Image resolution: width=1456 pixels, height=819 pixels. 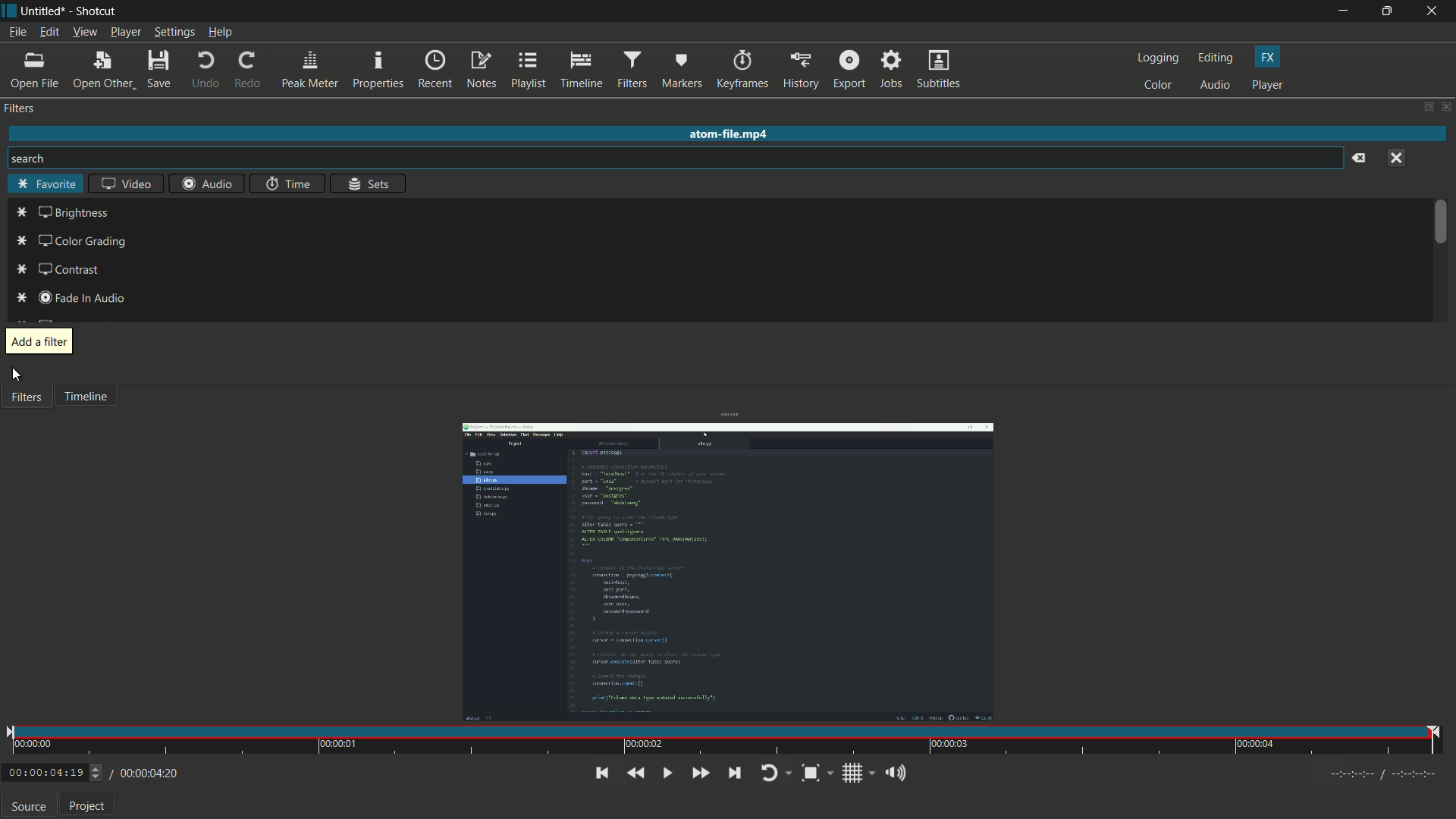 What do you see at coordinates (435, 71) in the screenshot?
I see `recent` at bounding box center [435, 71].